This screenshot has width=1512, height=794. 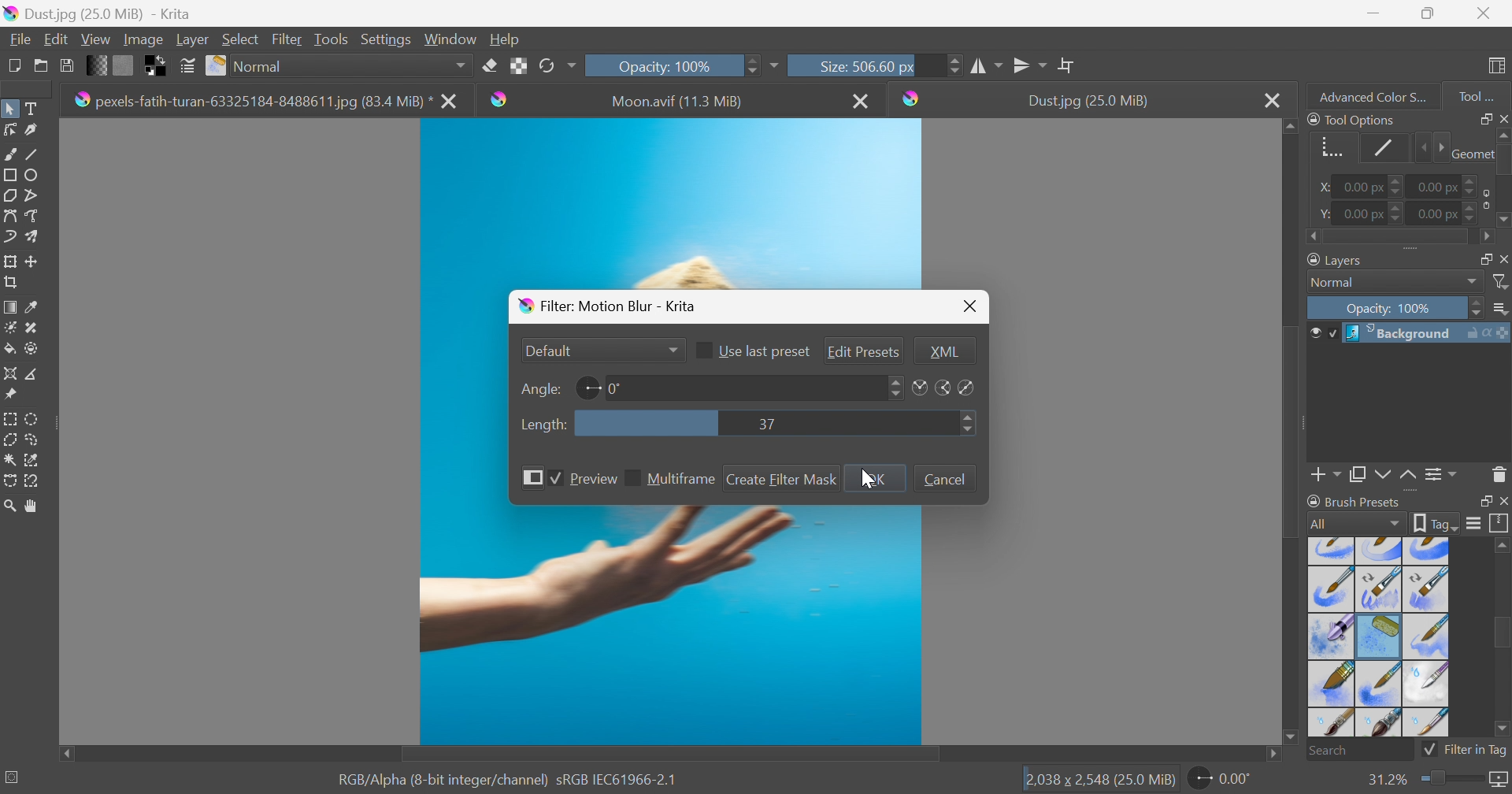 I want to click on Cursor, so click(x=867, y=479).